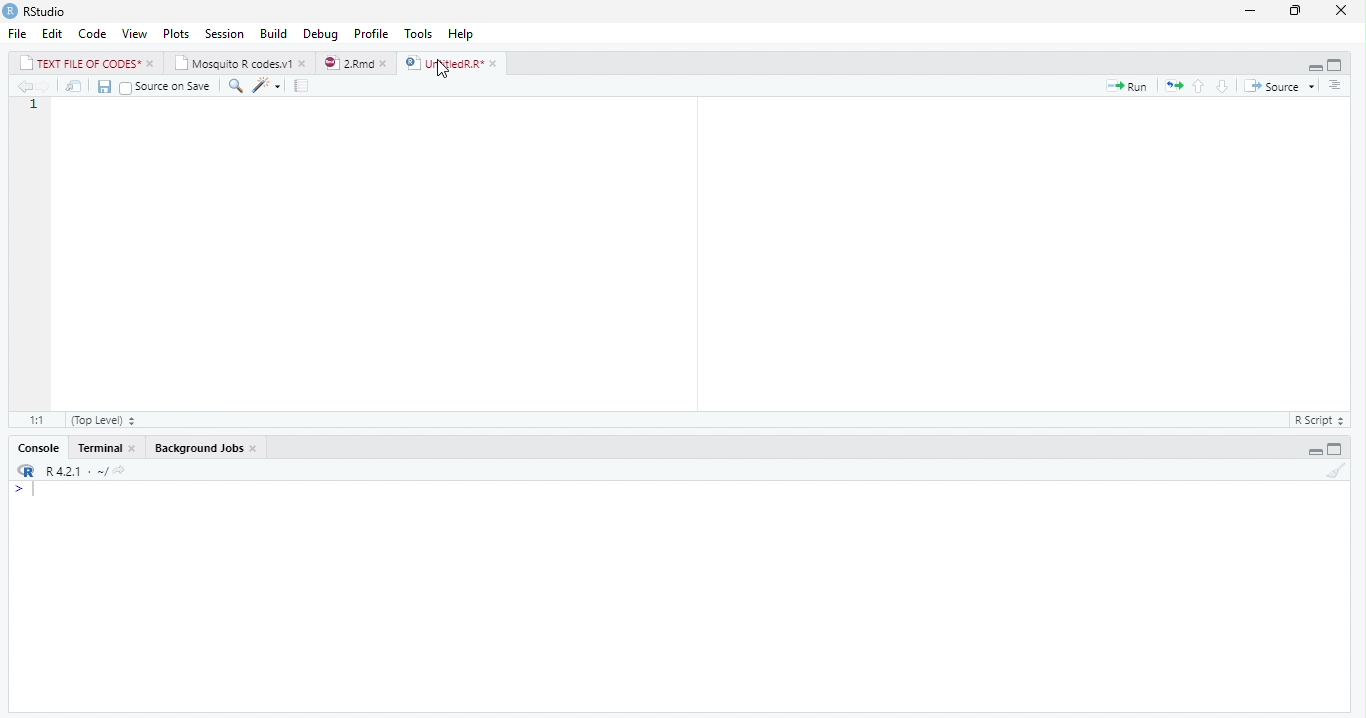 The height and width of the screenshot is (718, 1366). Describe the element at coordinates (166, 86) in the screenshot. I see `source on save` at that location.